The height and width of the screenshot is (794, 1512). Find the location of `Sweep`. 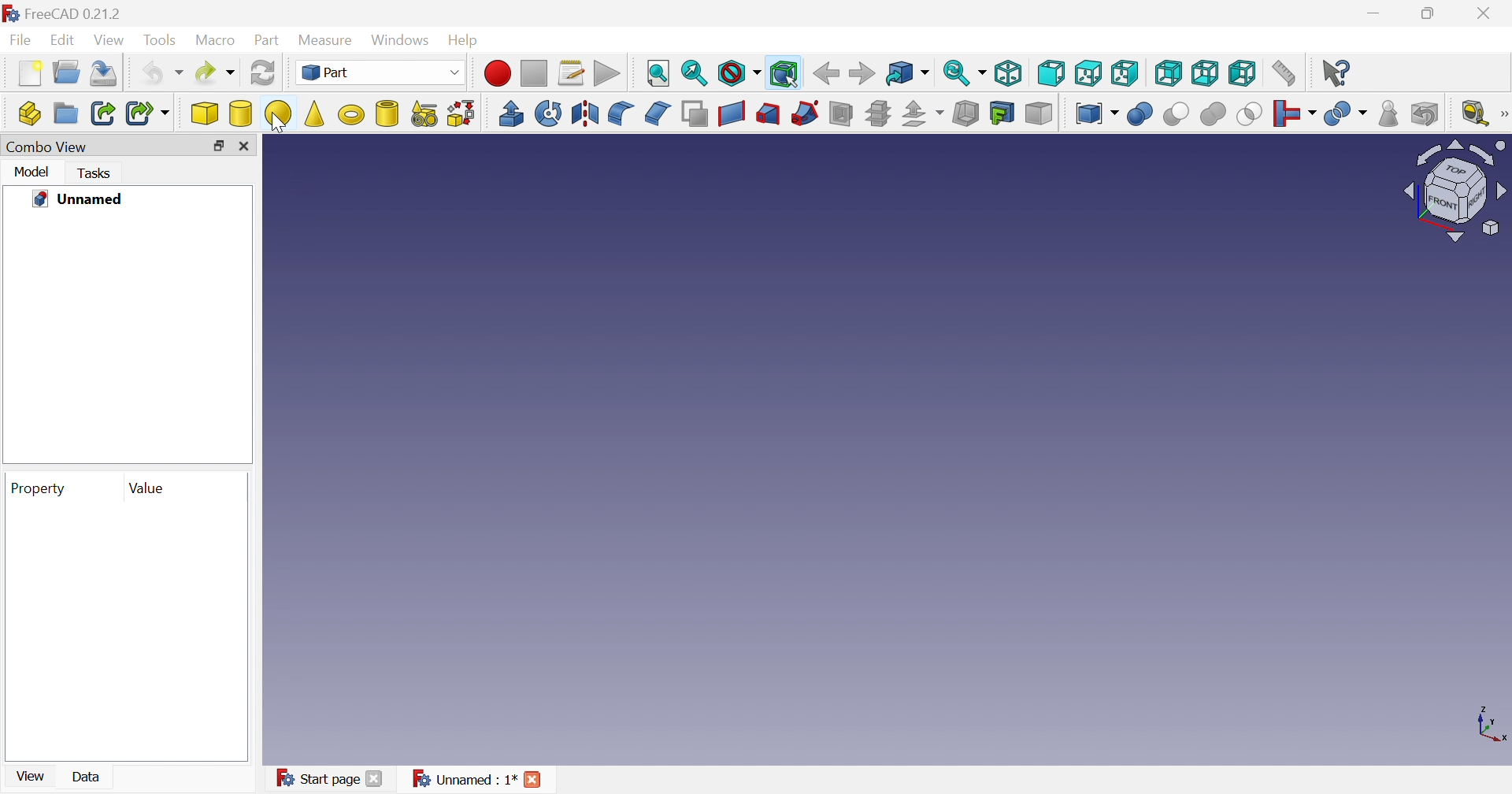

Sweep is located at coordinates (806, 113).